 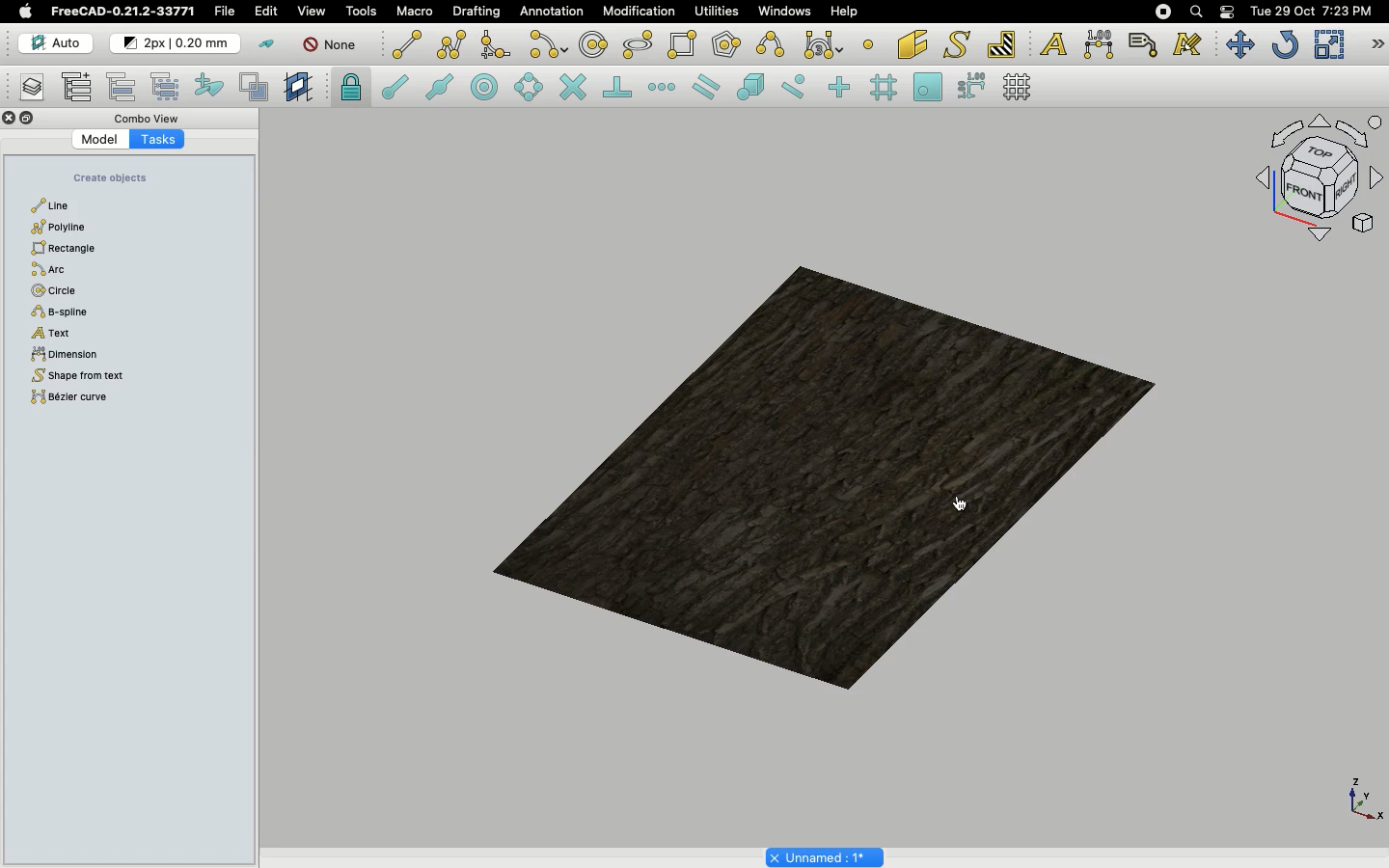 What do you see at coordinates (572, 85) in the screenshot?
I see `Snap intersection` at bounding box center [572, 85].